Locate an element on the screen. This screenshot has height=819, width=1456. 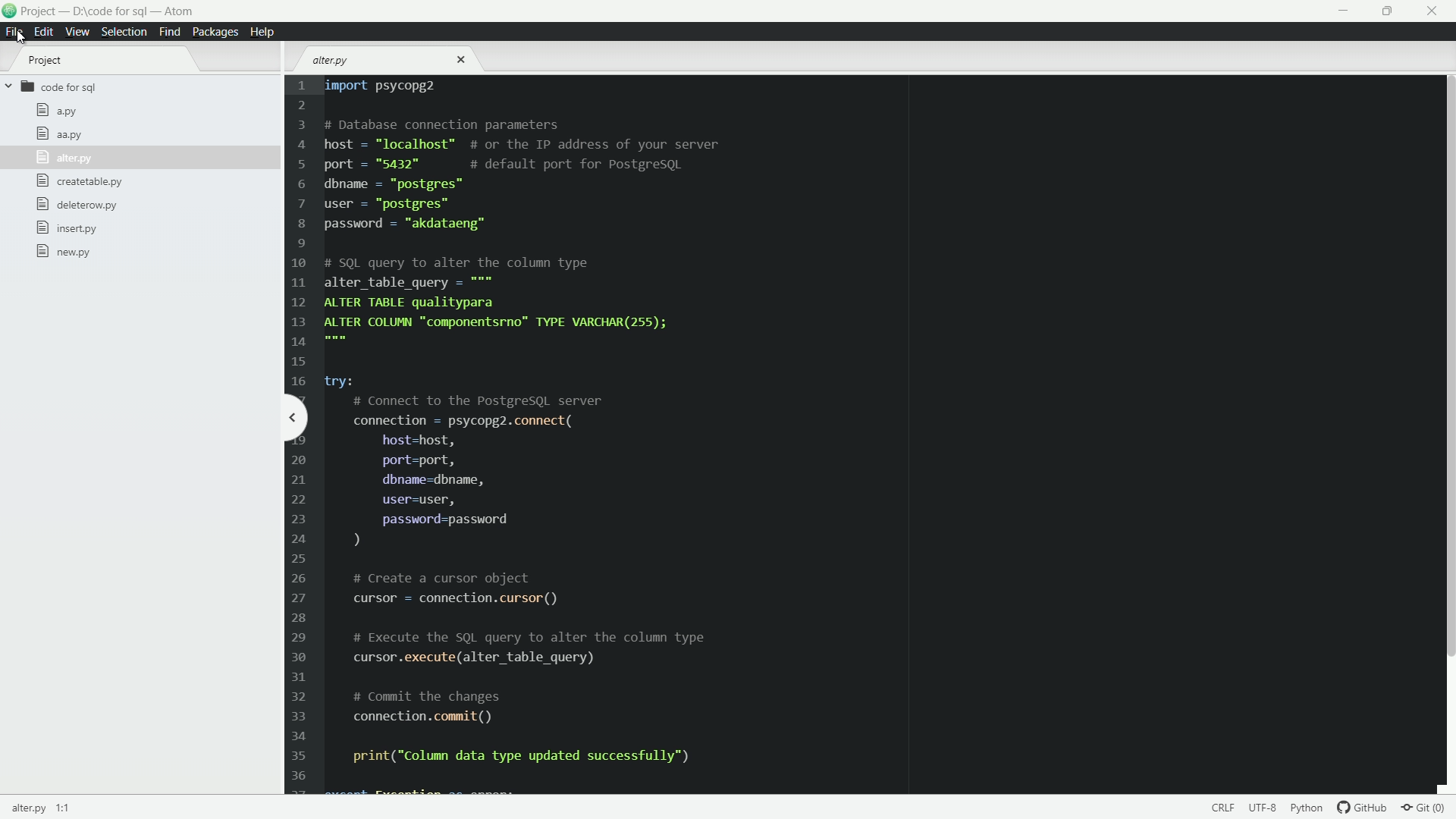
close app is located at coordinates (1434, 11).